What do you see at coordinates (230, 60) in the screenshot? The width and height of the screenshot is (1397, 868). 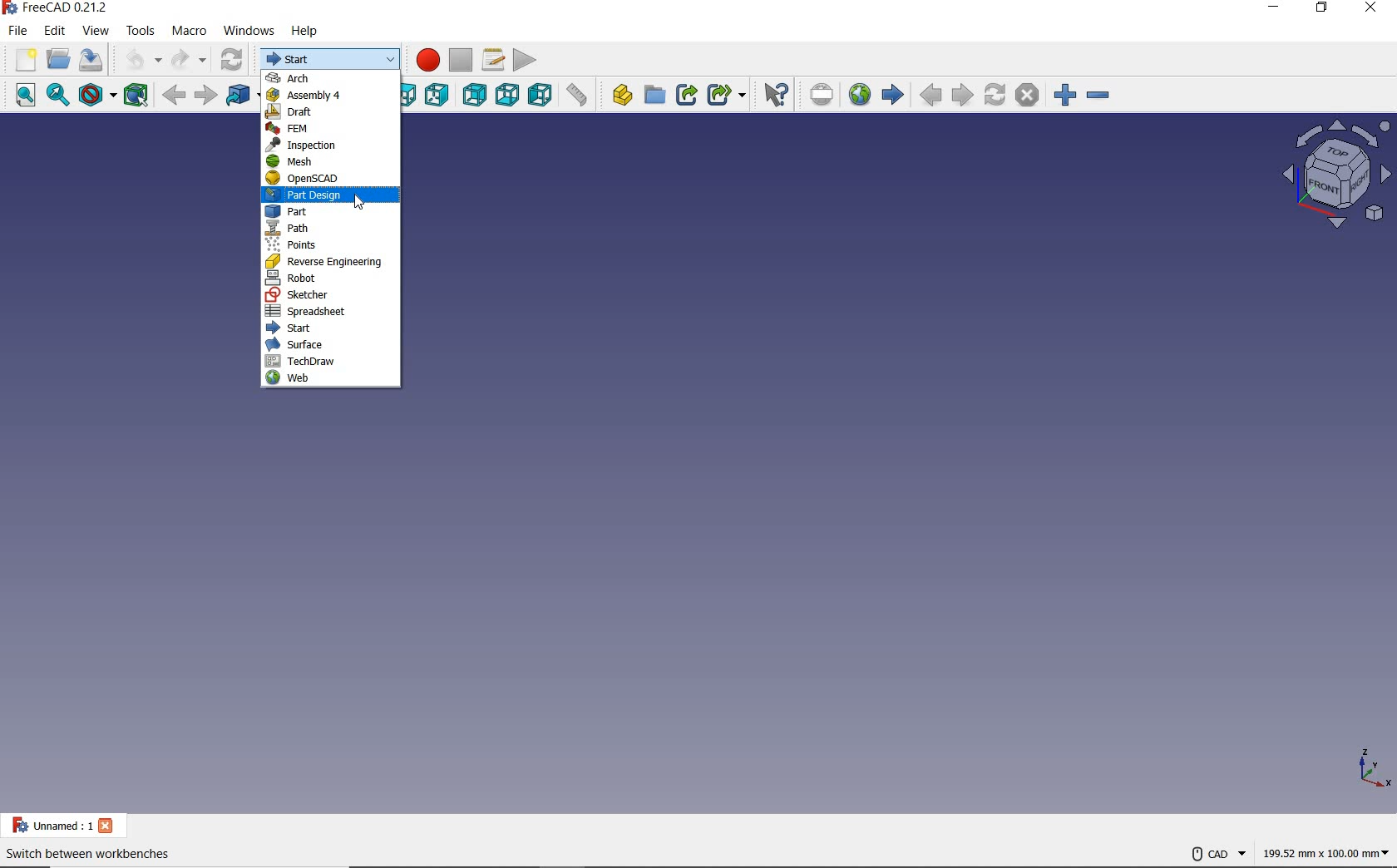 I see `REFRESH` at bounding box center [230, 60].